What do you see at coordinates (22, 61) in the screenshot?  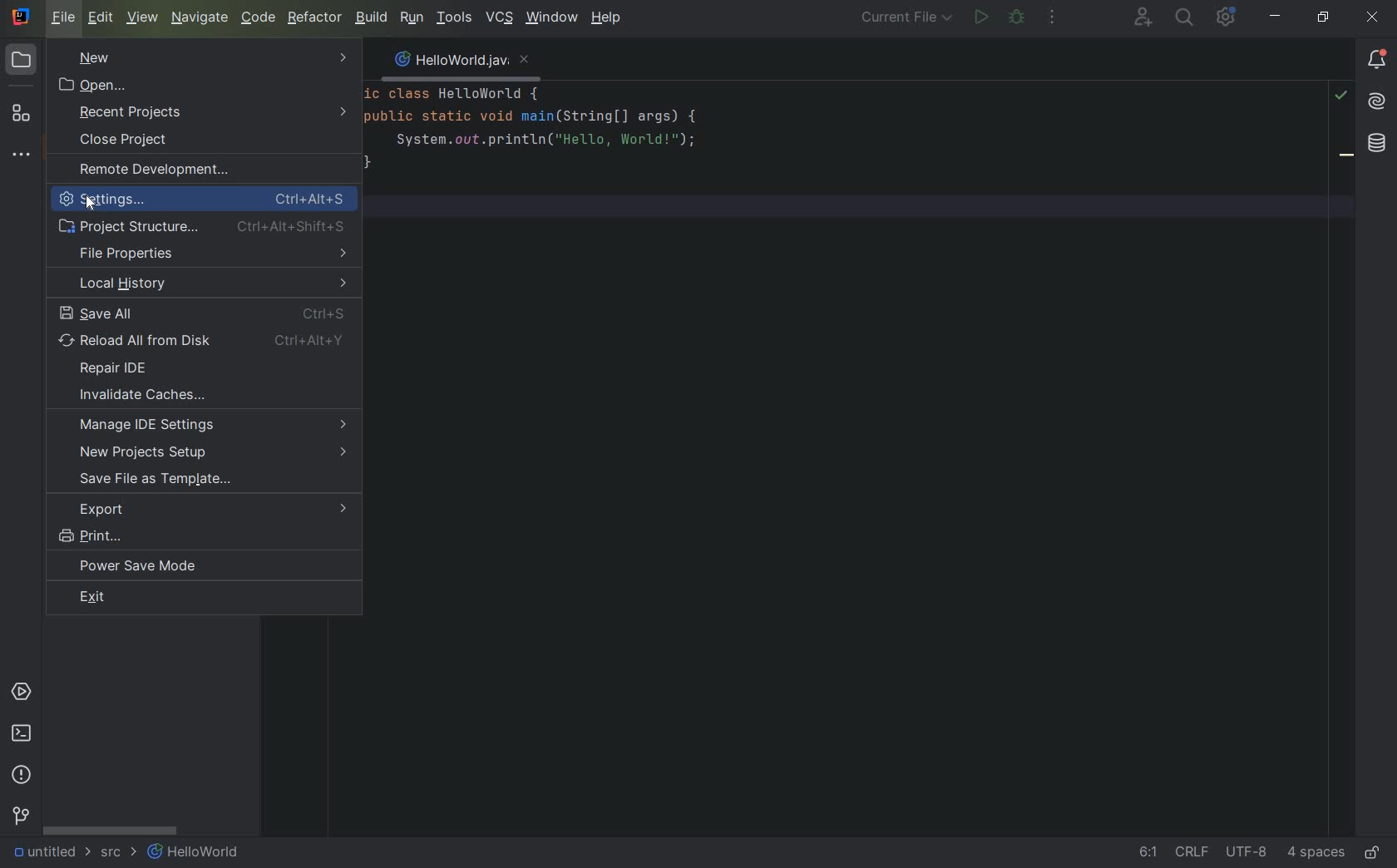 I see `PROJECT` at bounding box center [22, 61].